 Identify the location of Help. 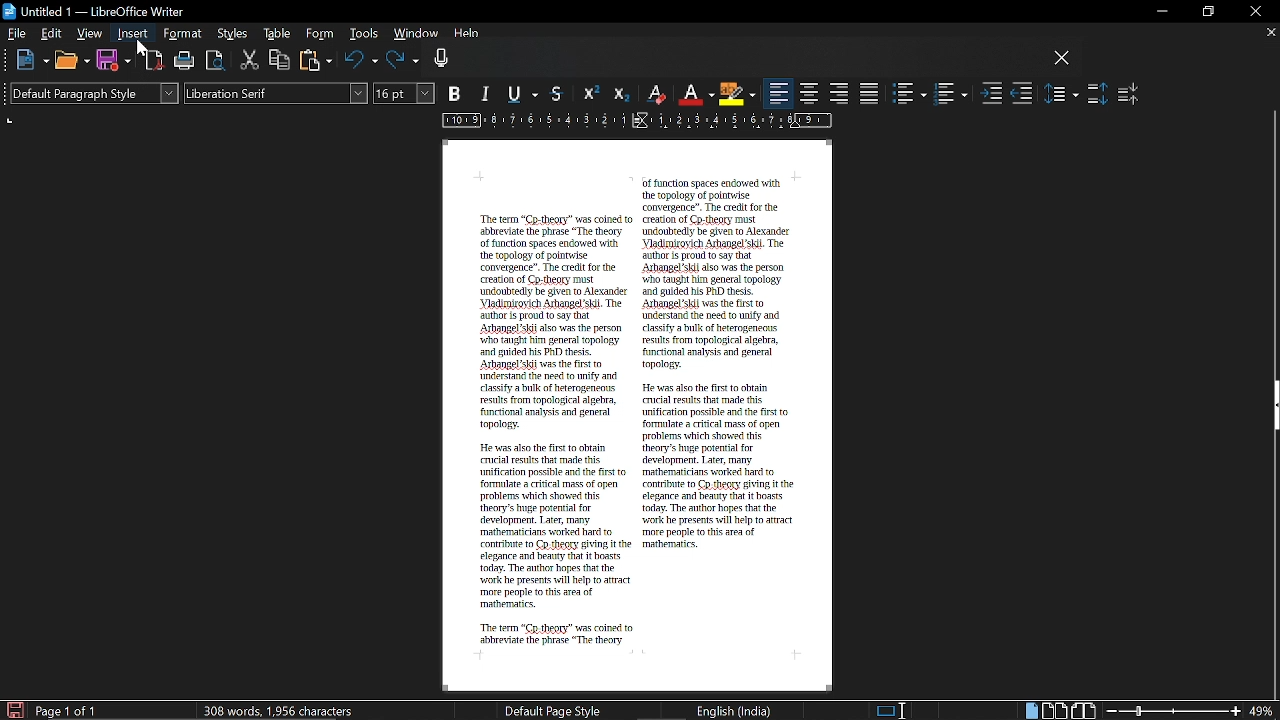
(468, 36).